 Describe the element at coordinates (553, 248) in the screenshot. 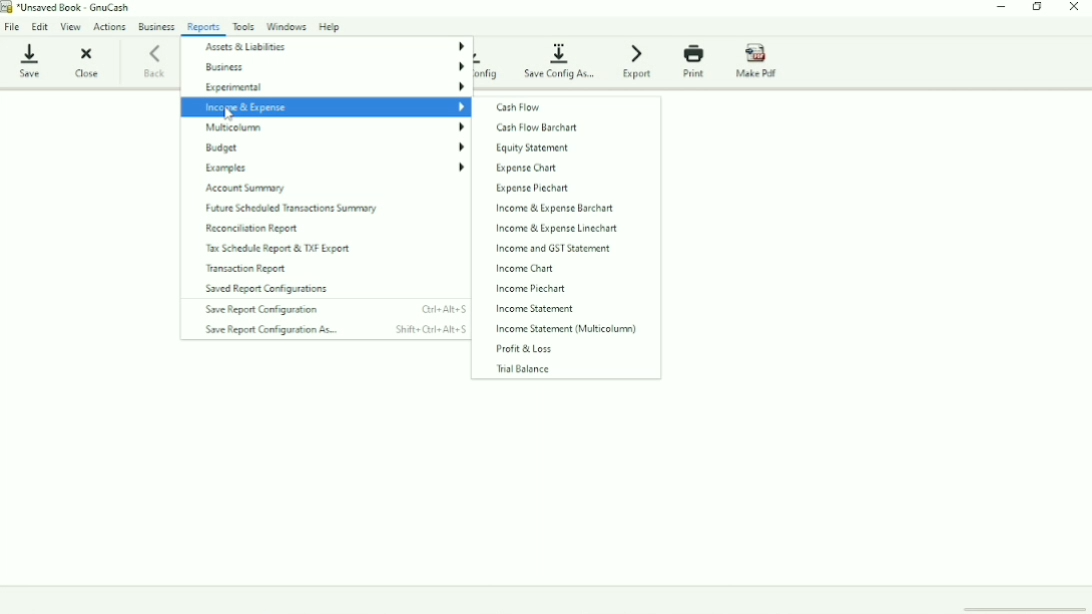

I see `Income and GST Statement` at that location.